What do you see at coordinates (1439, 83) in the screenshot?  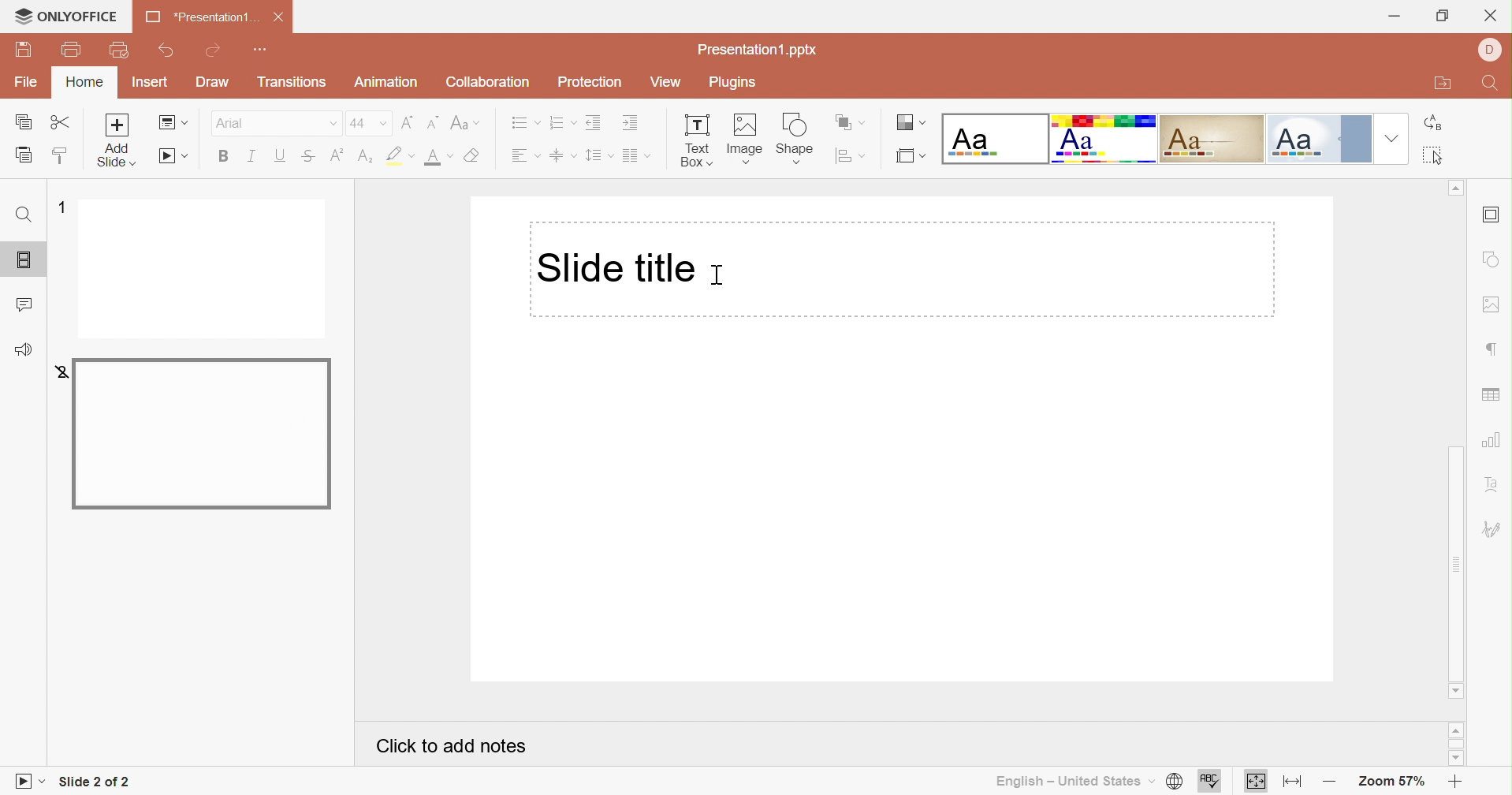 I see `Open file location` at bounding box center [1439, 83].